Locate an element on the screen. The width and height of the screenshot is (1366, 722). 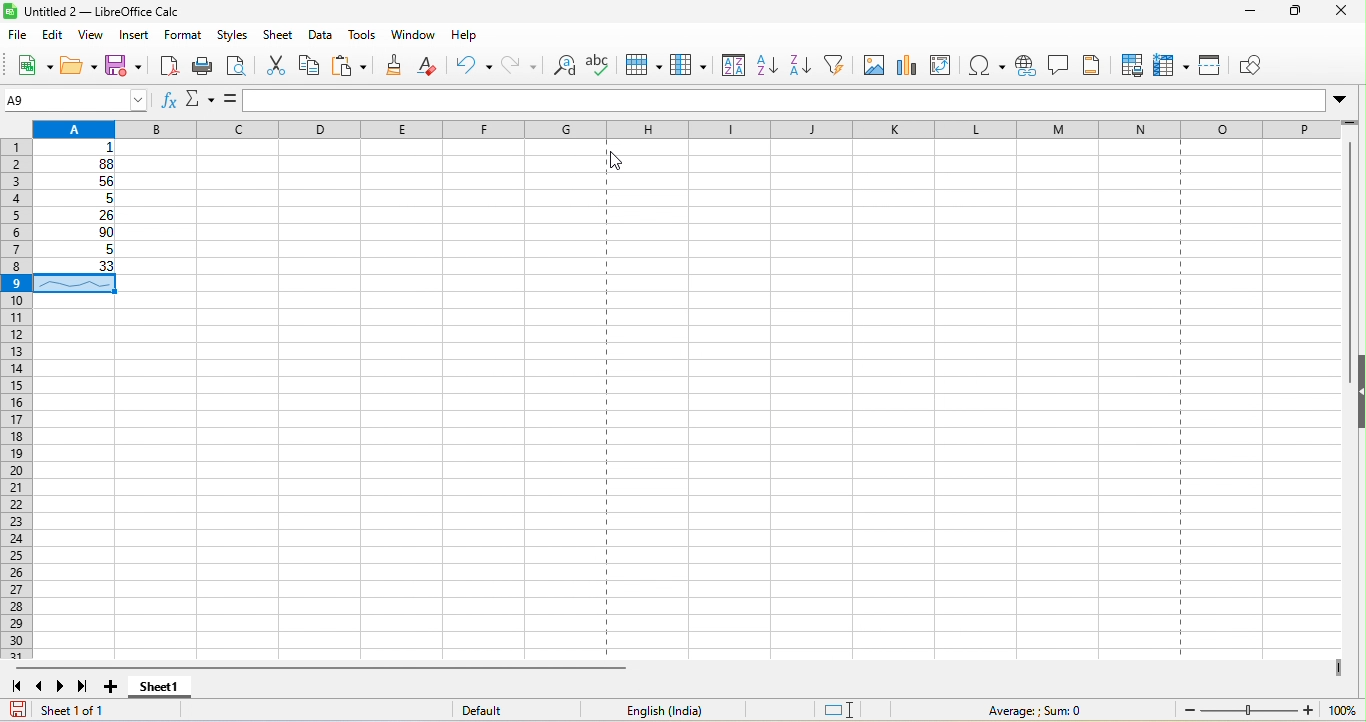
function wizard is located at coordinates (169, 101).